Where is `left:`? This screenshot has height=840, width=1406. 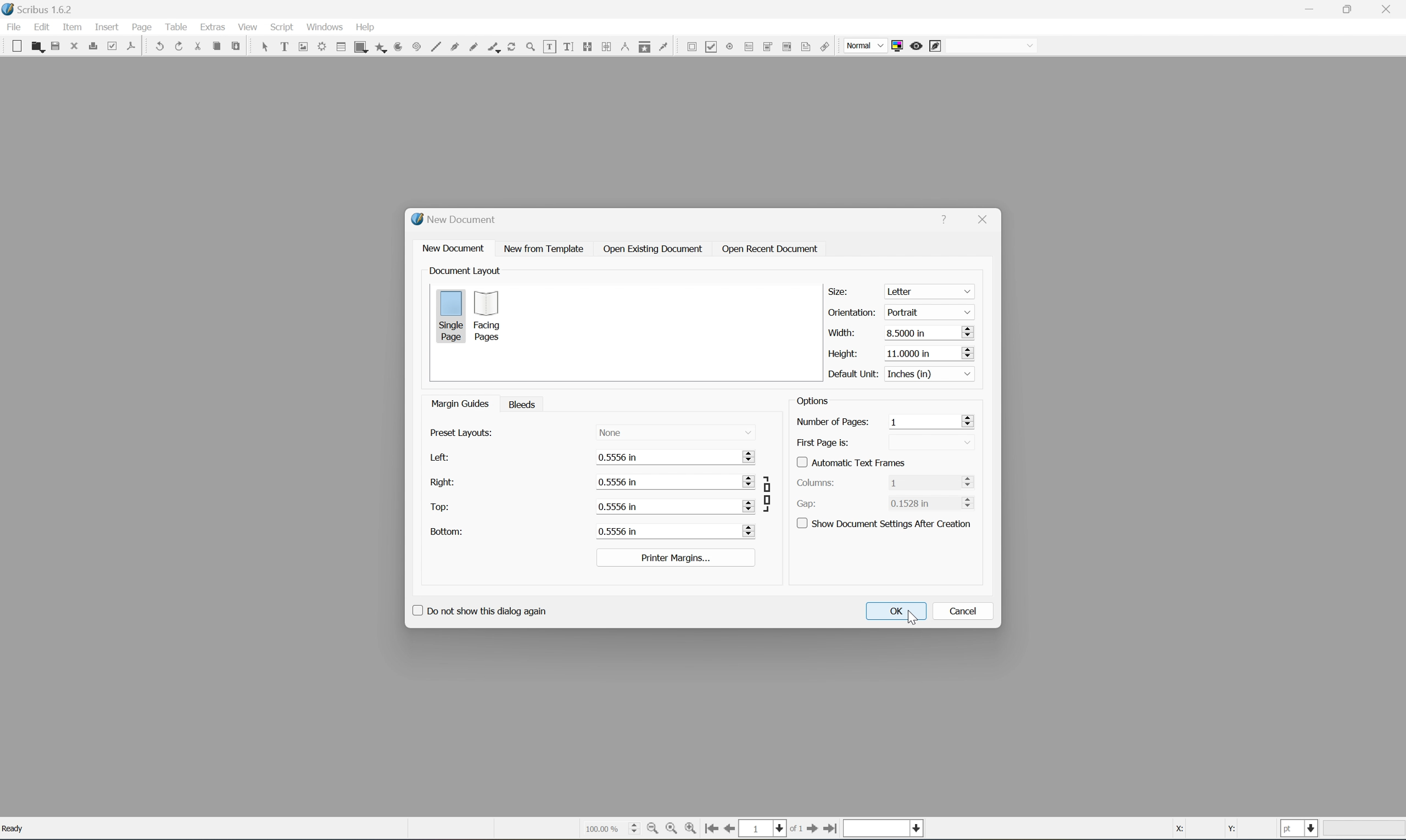
left: is located at coordinates (442, 460).